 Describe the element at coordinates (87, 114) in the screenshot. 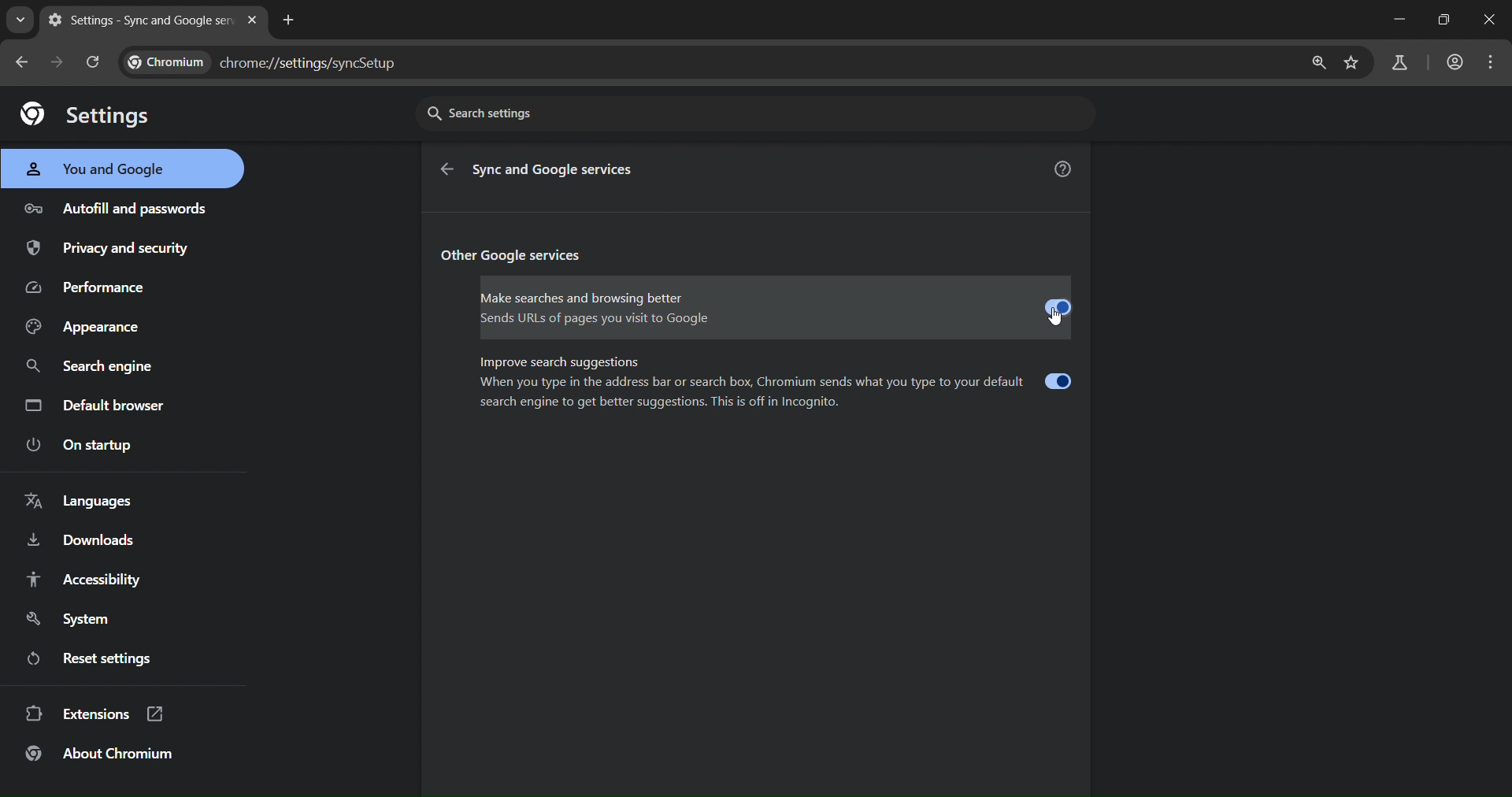

I see `settings` at that location.